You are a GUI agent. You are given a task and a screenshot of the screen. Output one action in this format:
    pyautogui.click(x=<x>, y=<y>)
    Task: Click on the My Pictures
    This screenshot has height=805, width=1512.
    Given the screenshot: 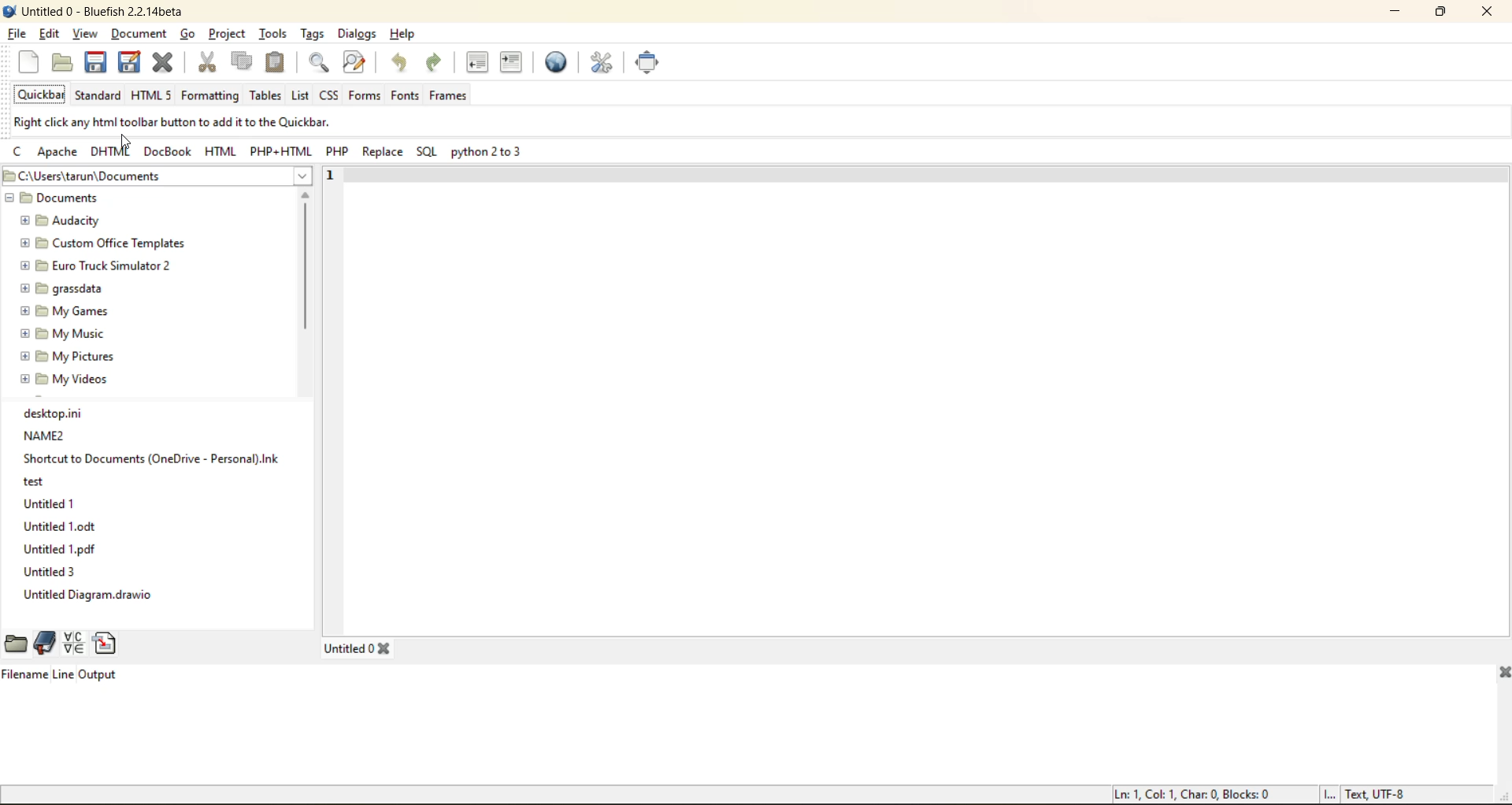 What is the action you would take?
    pyautogui.click(x=73, y=356)
    